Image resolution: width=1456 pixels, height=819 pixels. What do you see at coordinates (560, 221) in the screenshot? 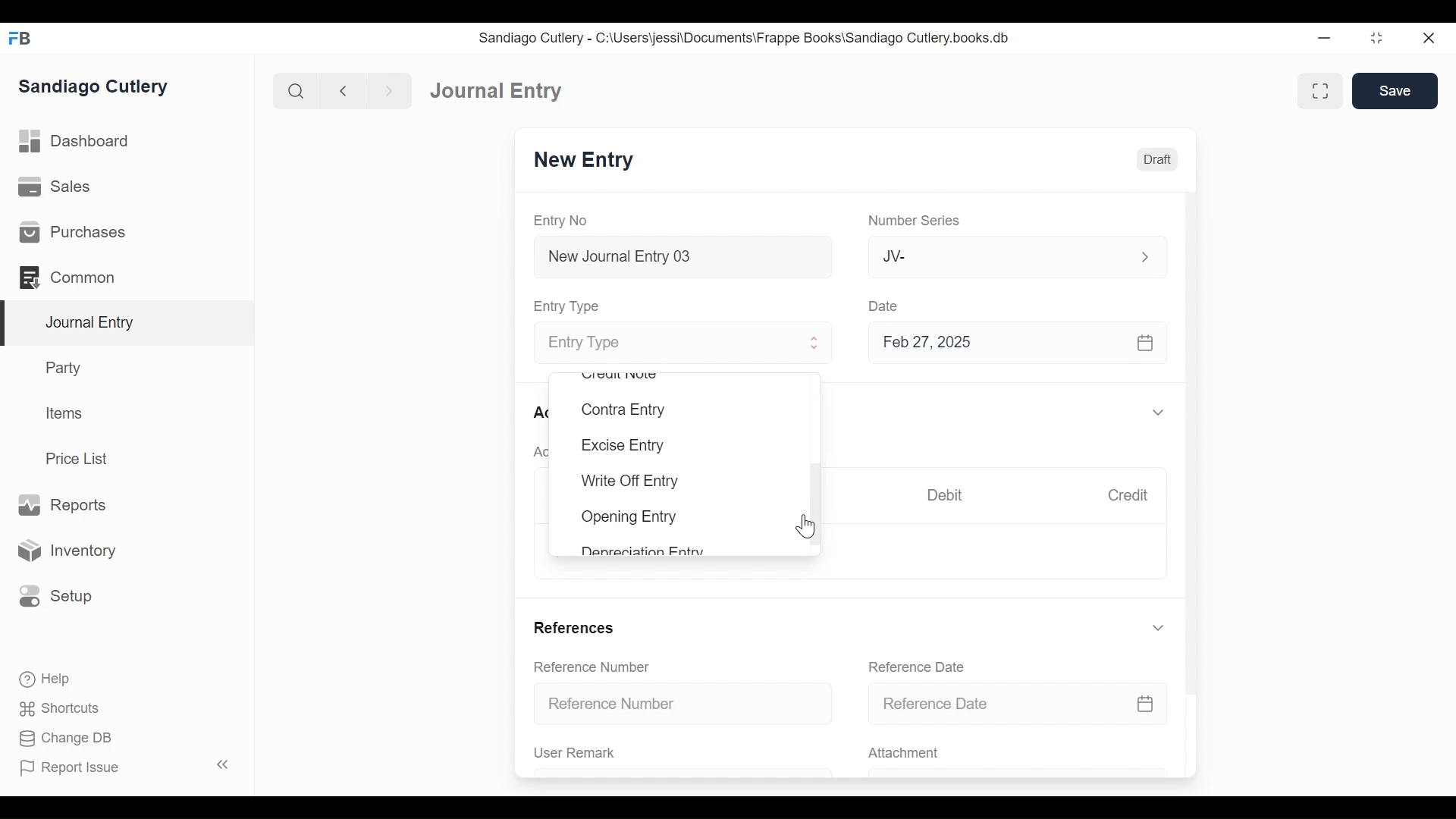
I see `Entry No` at bounding box center [560, 221].